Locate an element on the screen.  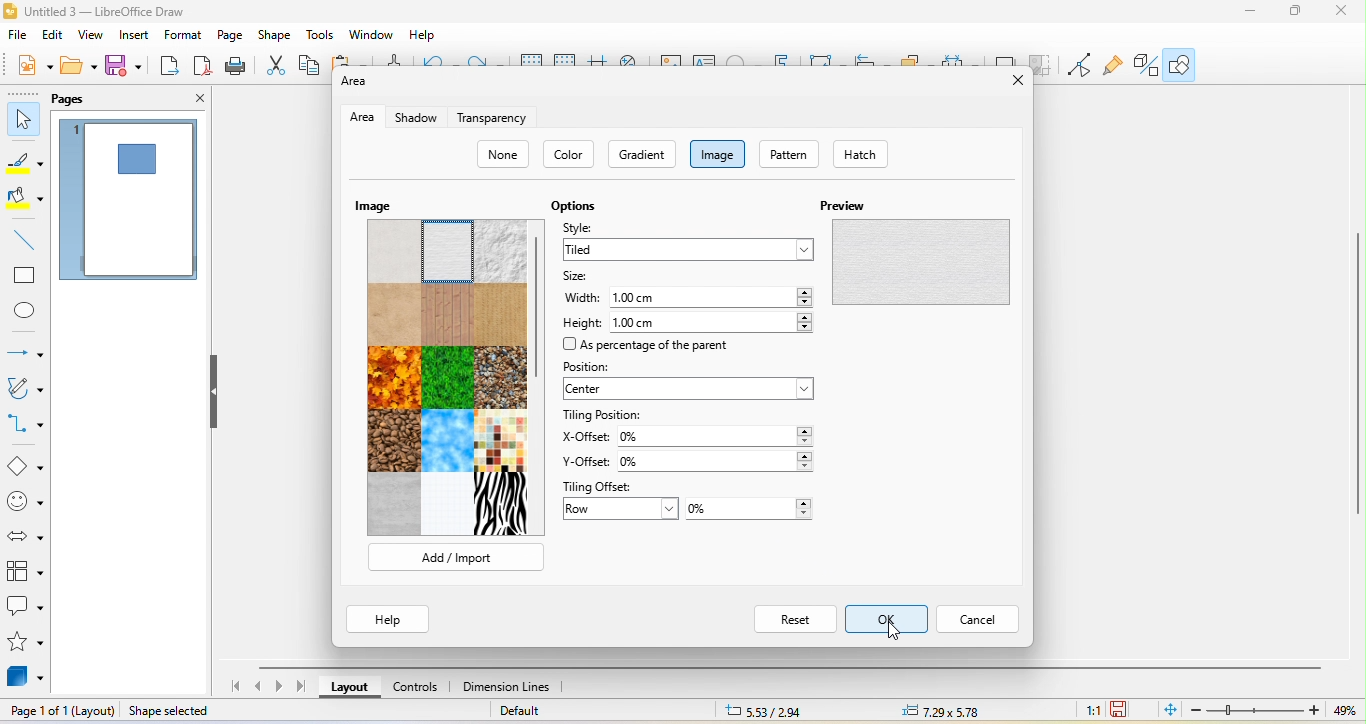
color is located at coordinates (570, 154).